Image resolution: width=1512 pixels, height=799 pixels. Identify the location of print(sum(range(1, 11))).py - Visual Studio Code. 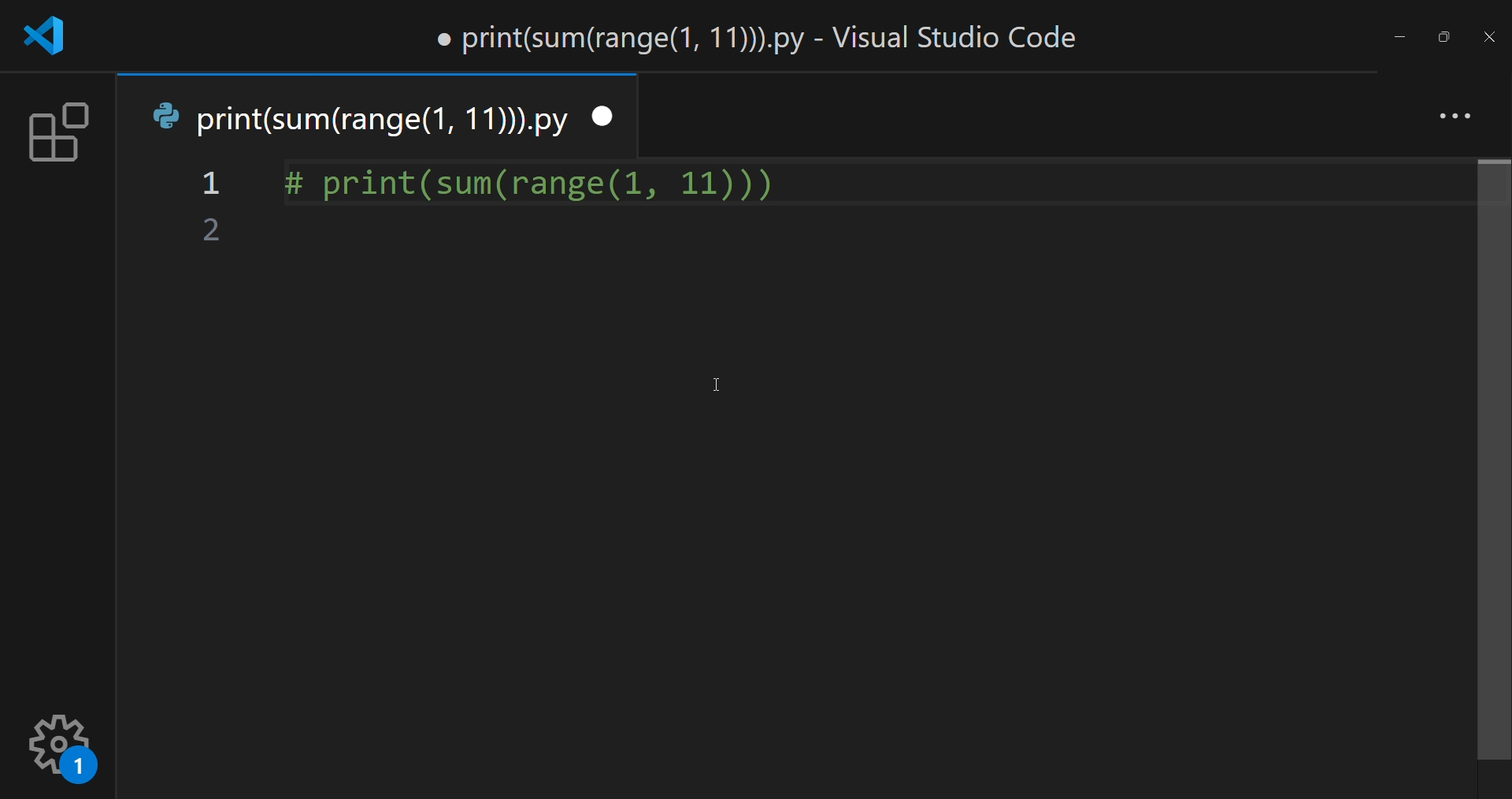
(762, 36).